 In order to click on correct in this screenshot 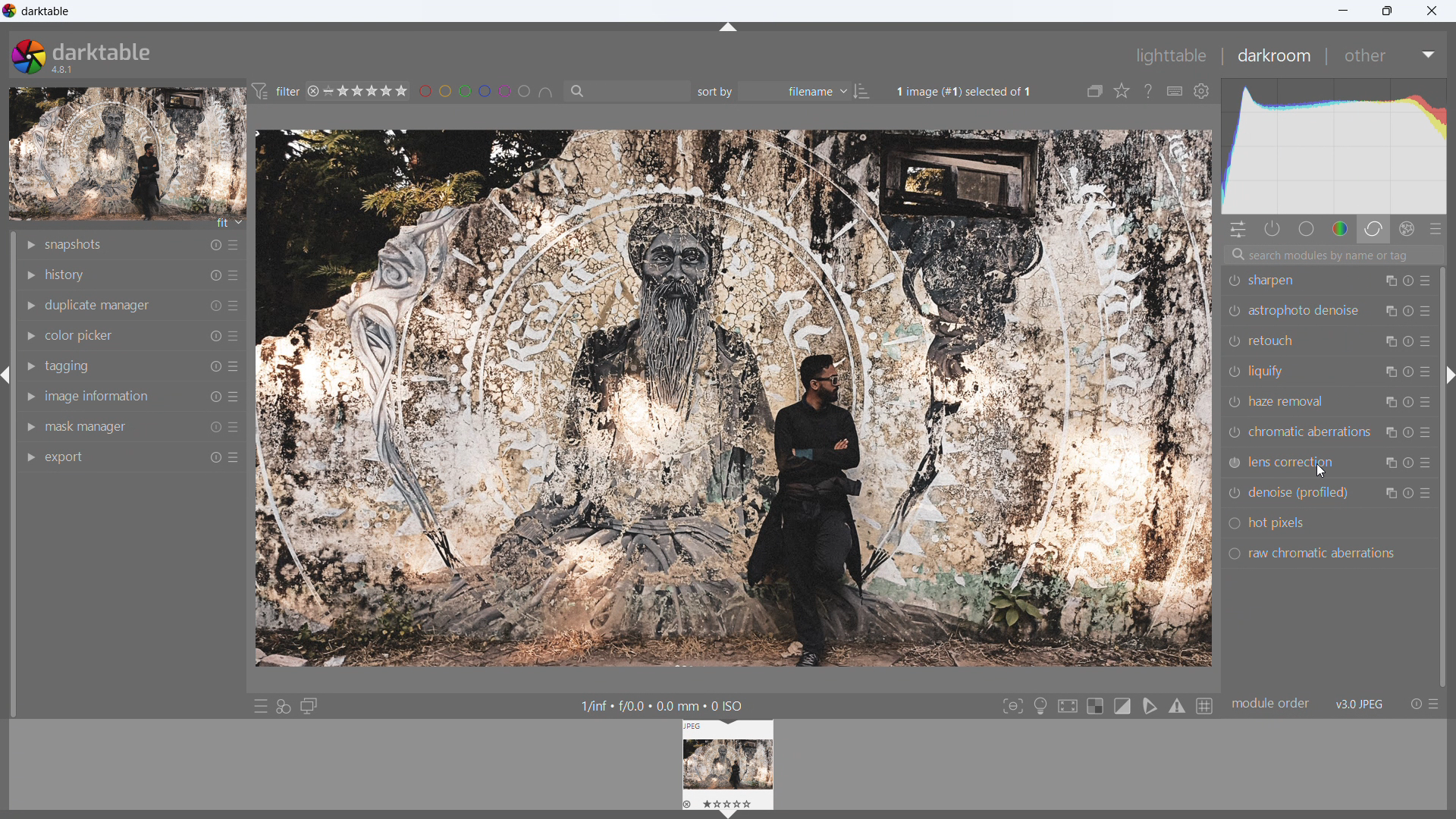, I will do `click(1373, 229)`.